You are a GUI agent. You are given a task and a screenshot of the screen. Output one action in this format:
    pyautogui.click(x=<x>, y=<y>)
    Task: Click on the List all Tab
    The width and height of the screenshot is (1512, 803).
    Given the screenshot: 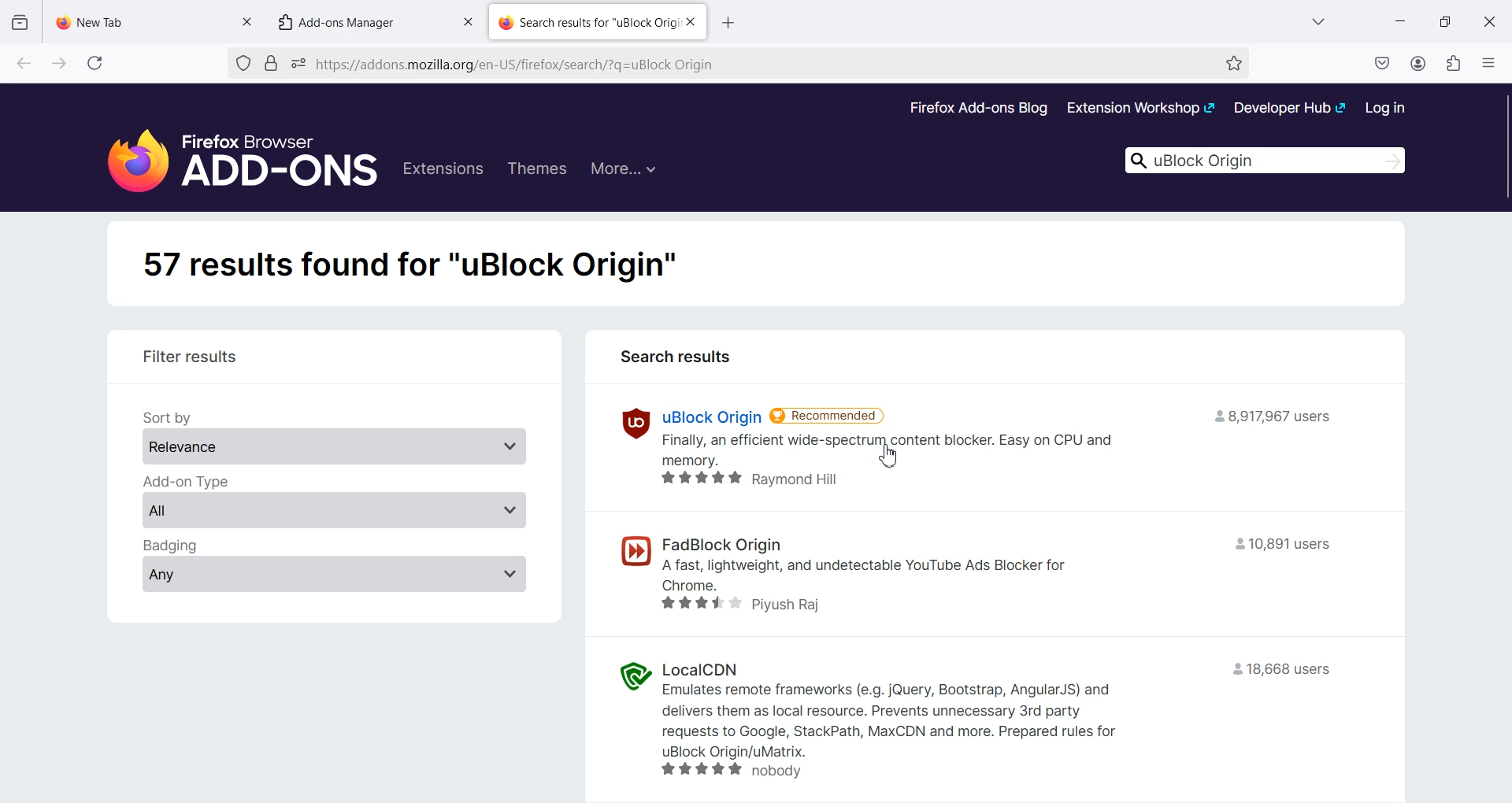 What is the action you would take?
    pyautogui.click(x=1317, y=21)
    